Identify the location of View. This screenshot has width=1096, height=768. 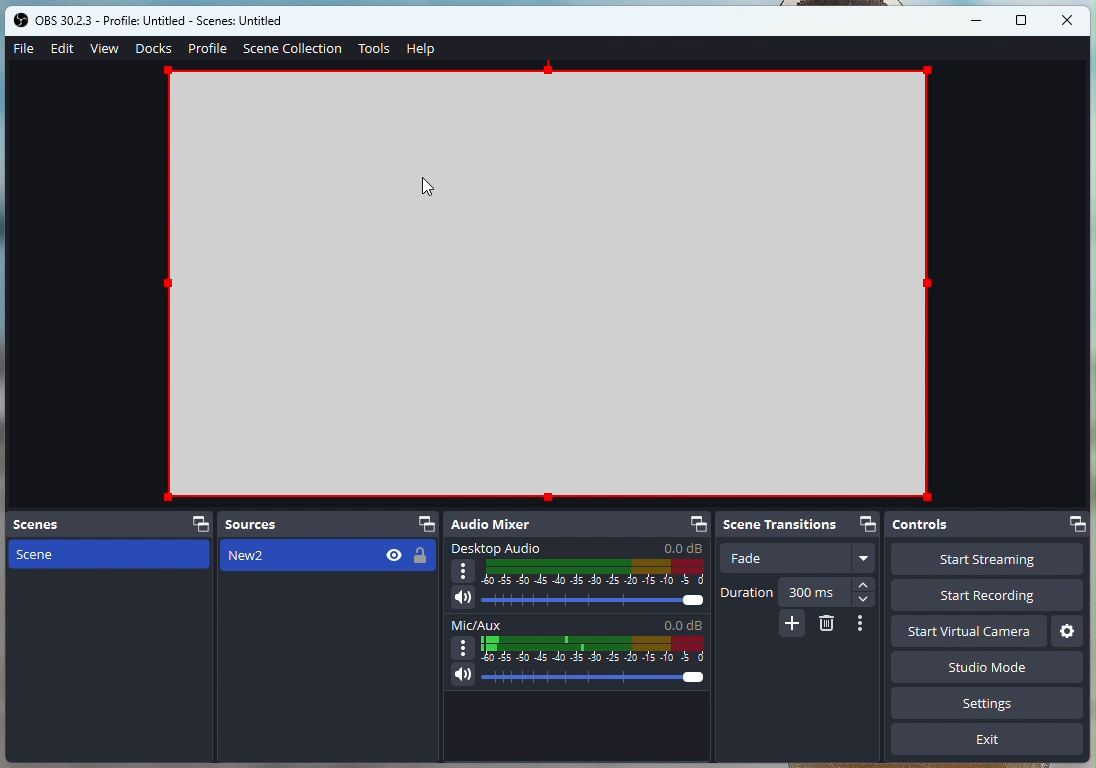
(105, 47).